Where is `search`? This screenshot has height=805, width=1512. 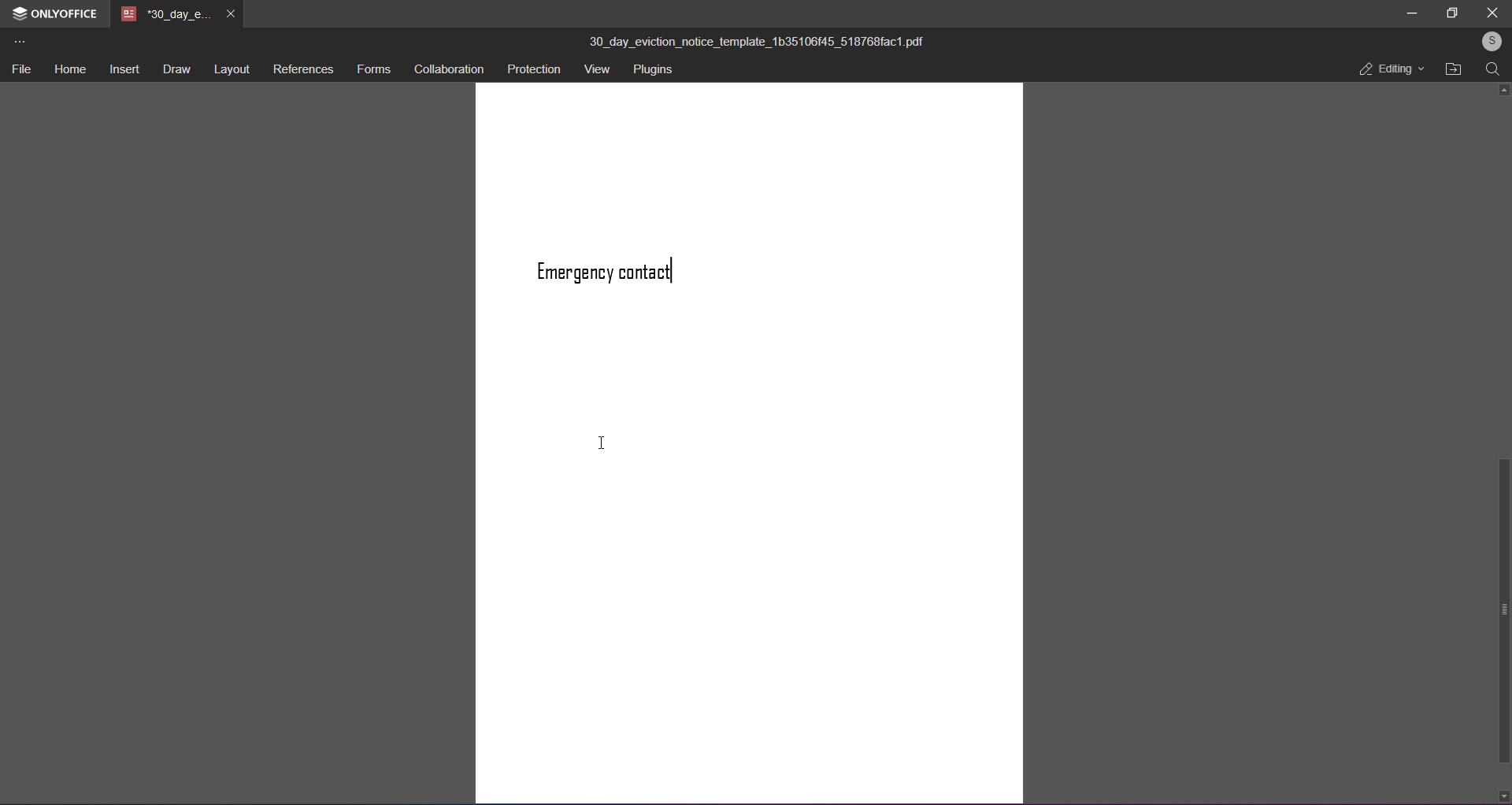 search is located at coordinates (1492, 72).